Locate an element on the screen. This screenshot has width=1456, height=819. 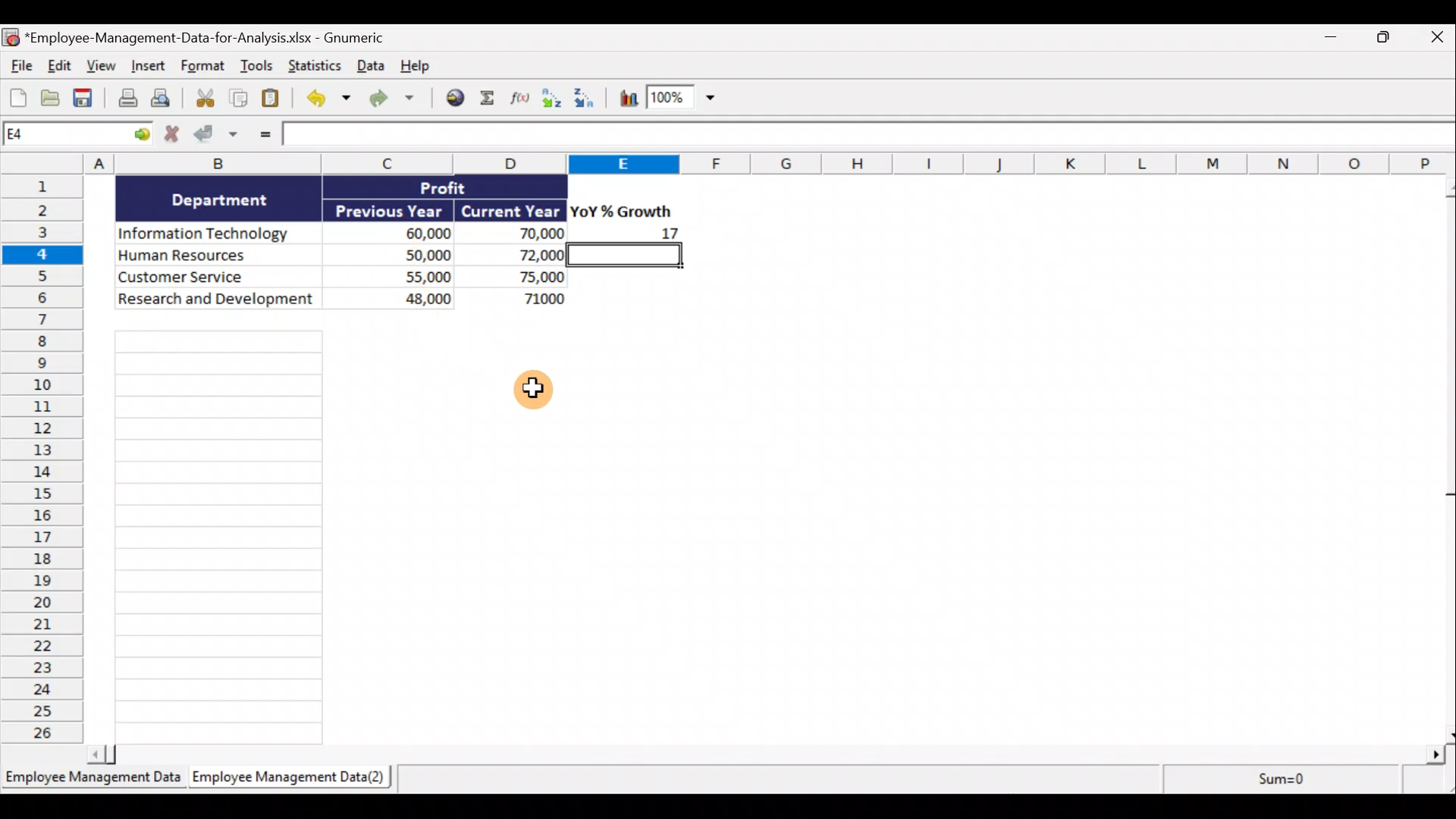
Open a file is located at coordinates (52, 98).